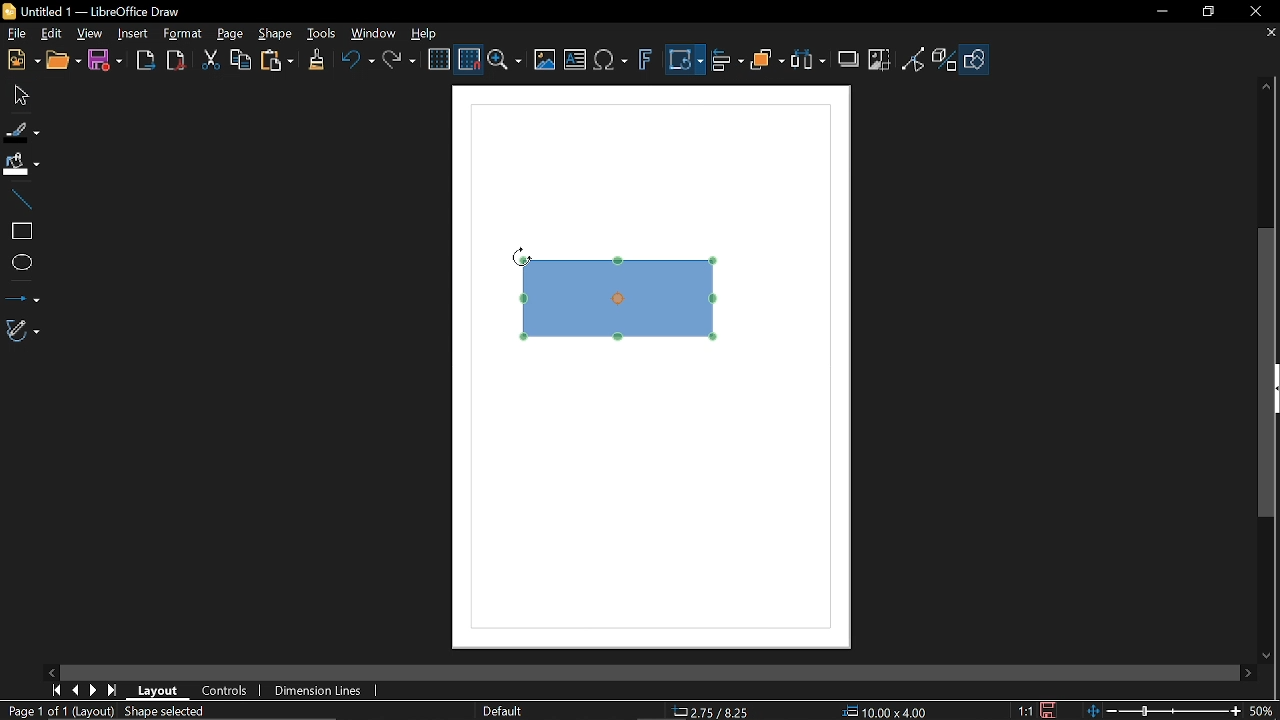 The height and width of the screenshot is (720, 1280). What do you see at coordinates (1025, 711) in the screenshot?
I see `1:1 (Scaling factor)` at bounding box center [1025, 711].